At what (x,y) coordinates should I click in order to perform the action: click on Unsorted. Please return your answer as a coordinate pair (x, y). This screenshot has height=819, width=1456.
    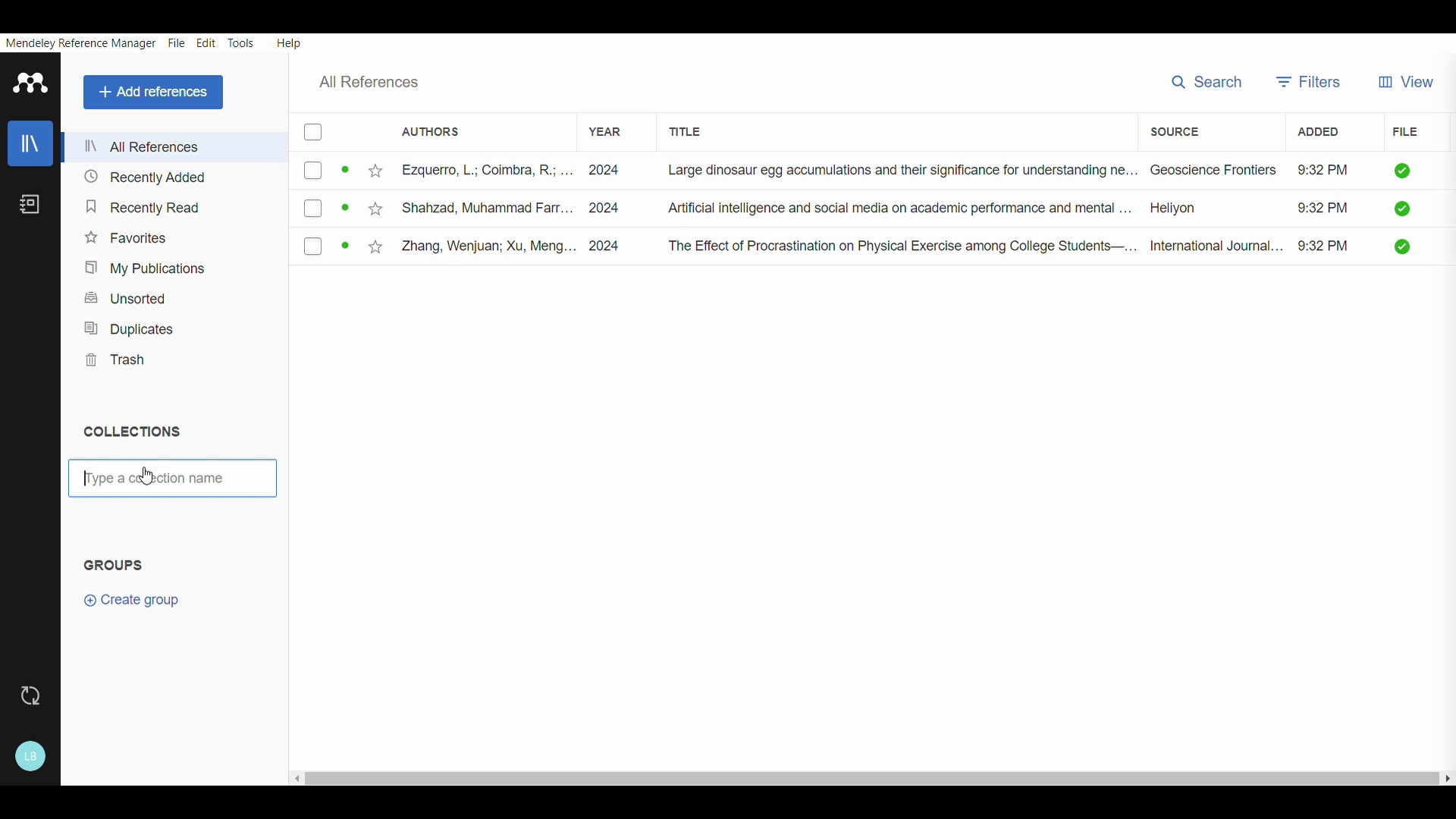
    Looking at the image, I should click on (132, 298).